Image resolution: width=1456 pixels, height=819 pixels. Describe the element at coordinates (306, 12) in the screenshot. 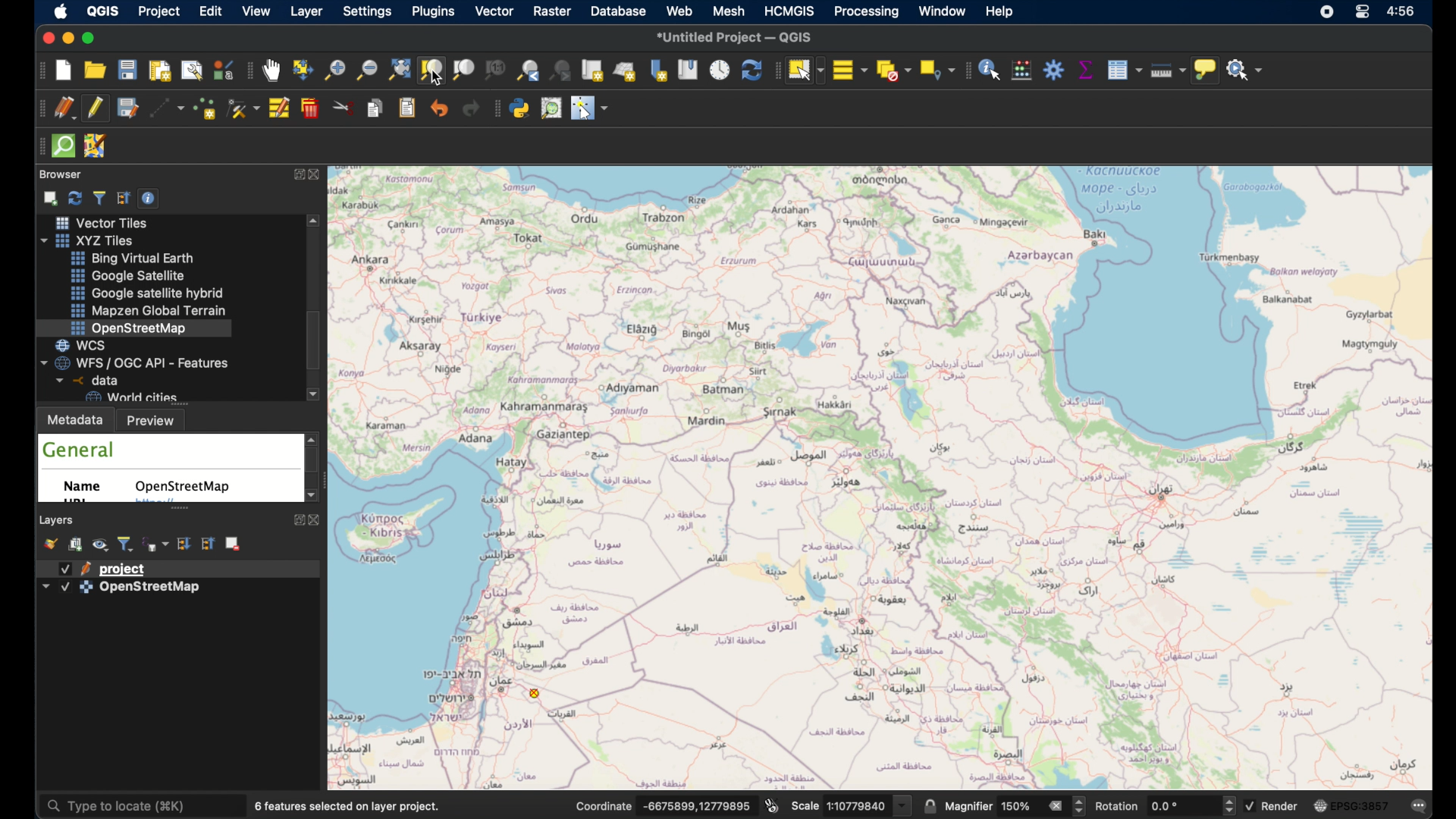

I see `layer` at that location.